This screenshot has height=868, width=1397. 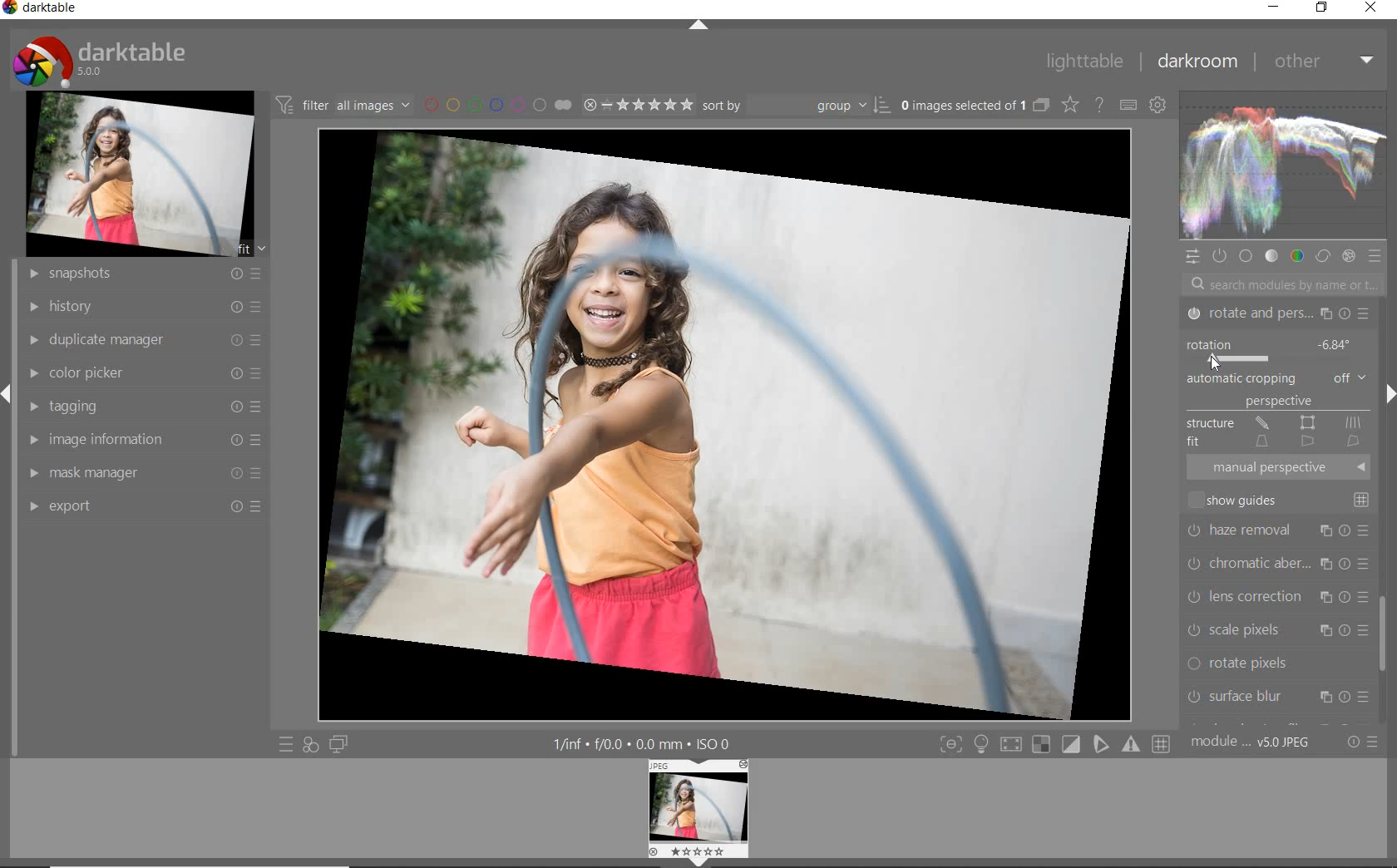 I want to click on image information, so click(x=143, y=441).